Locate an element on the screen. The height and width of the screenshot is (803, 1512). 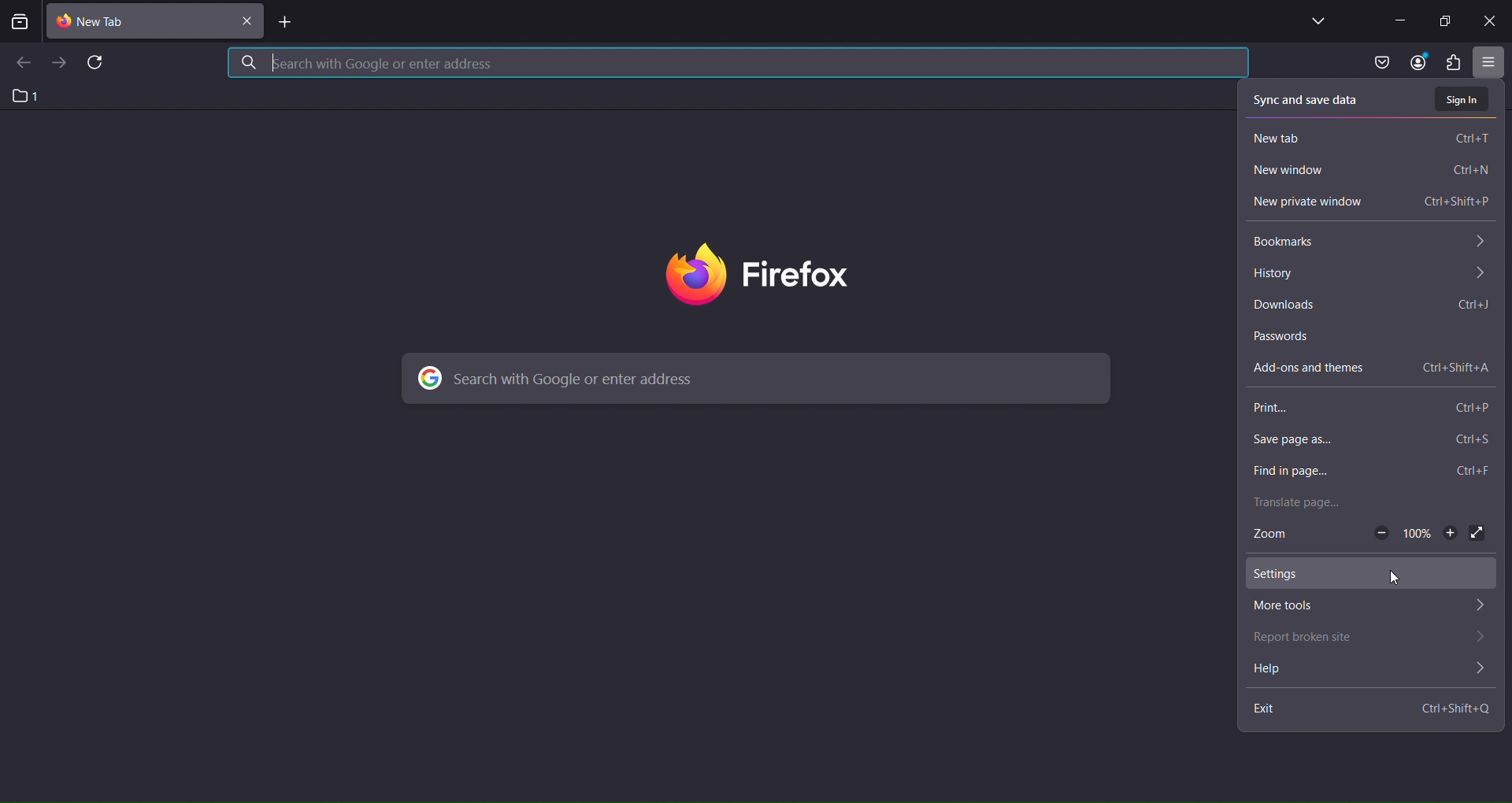
zoom in is located at coordinates (1450, 535).